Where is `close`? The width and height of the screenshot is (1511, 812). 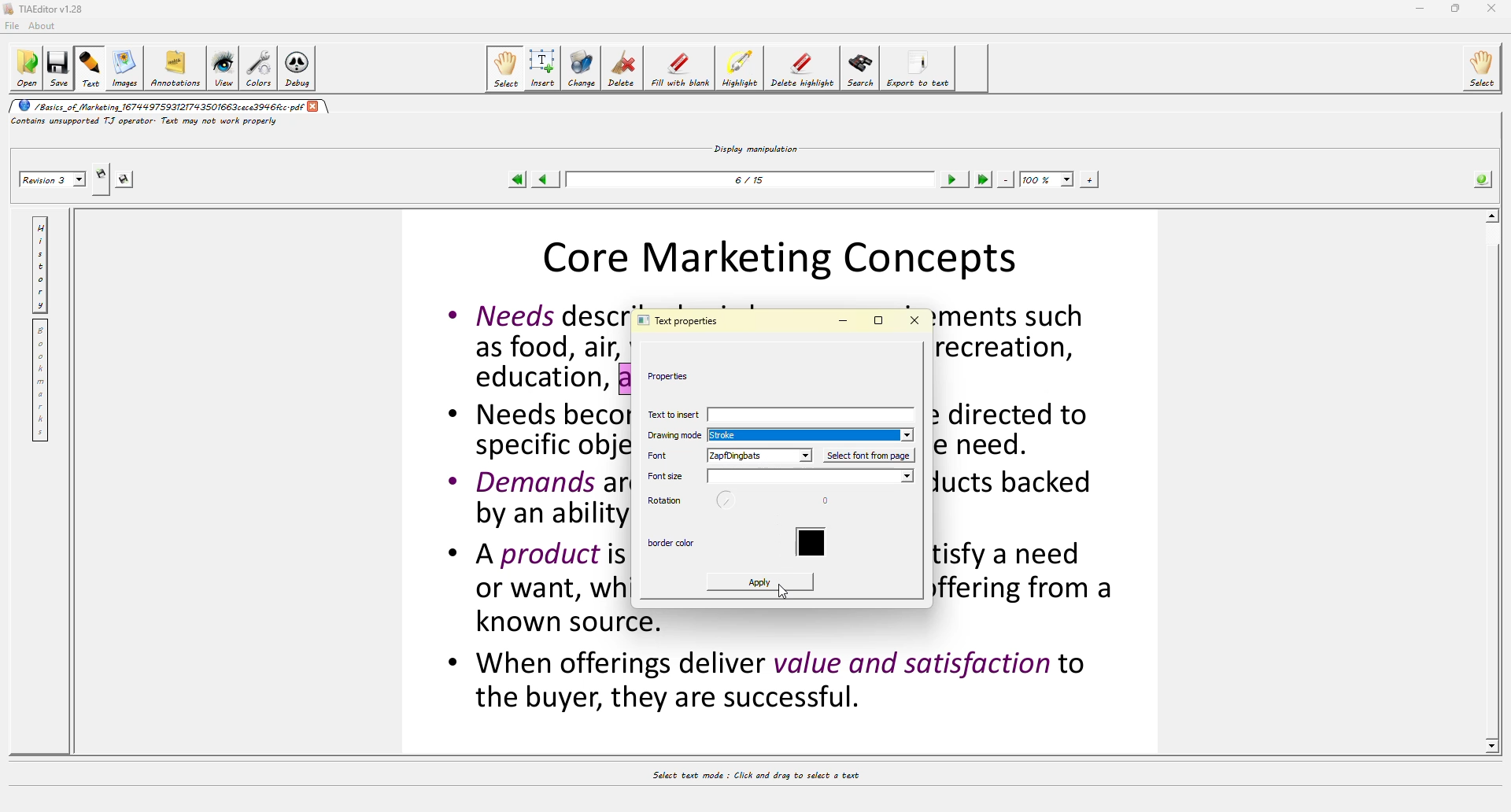
close is located at coordinates (316, 106).